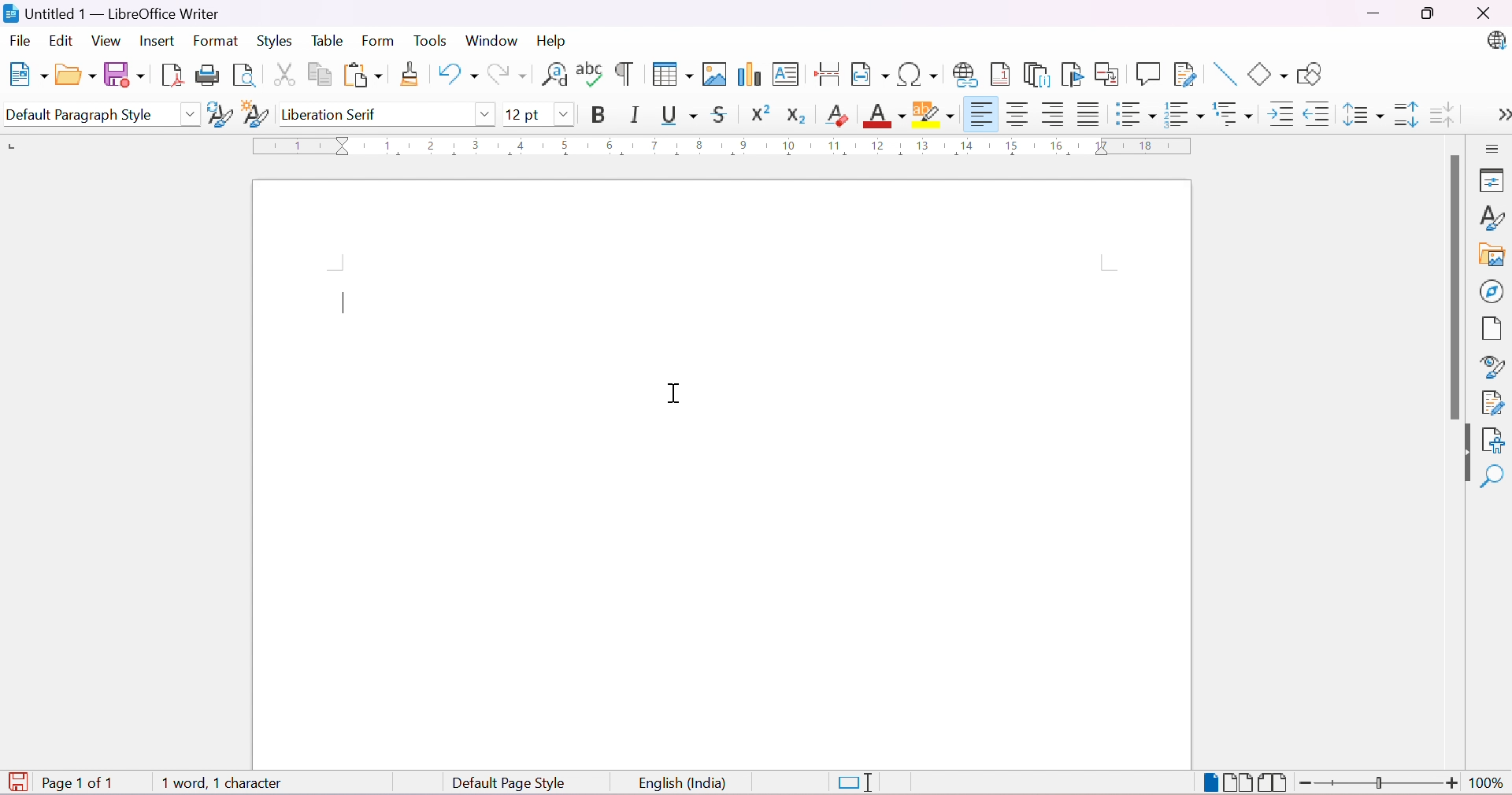 Image resolution: width=1512 pixels, height=795 pixels. What do you see at coordinates (409, 75) in the screenshot?
I see `Clone Formatting` at bounding box center [409, 75].